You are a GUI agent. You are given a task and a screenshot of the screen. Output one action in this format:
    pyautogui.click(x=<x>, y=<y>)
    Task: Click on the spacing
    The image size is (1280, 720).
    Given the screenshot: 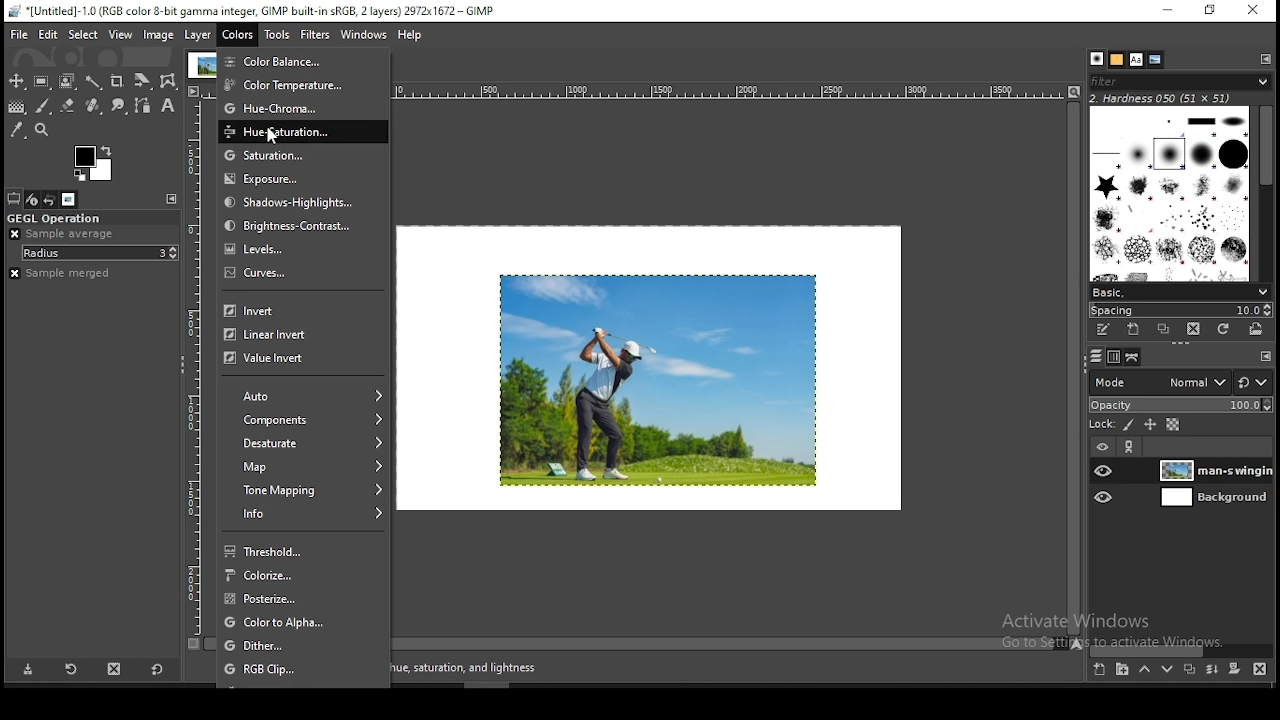 What is the action you would take?
    pyautogui.click(x=1178, y=310)
    